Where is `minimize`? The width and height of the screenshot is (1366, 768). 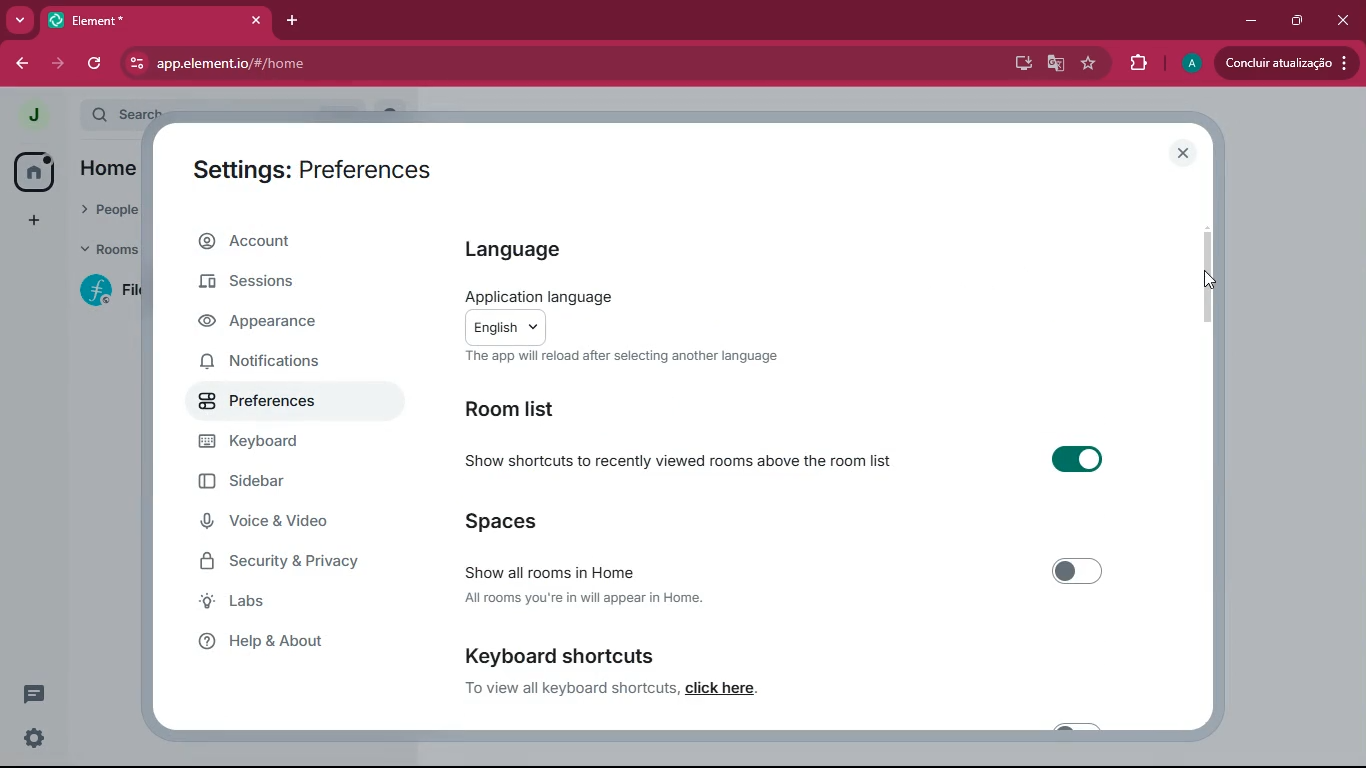 minimize is located at coordinates (1252, 20).